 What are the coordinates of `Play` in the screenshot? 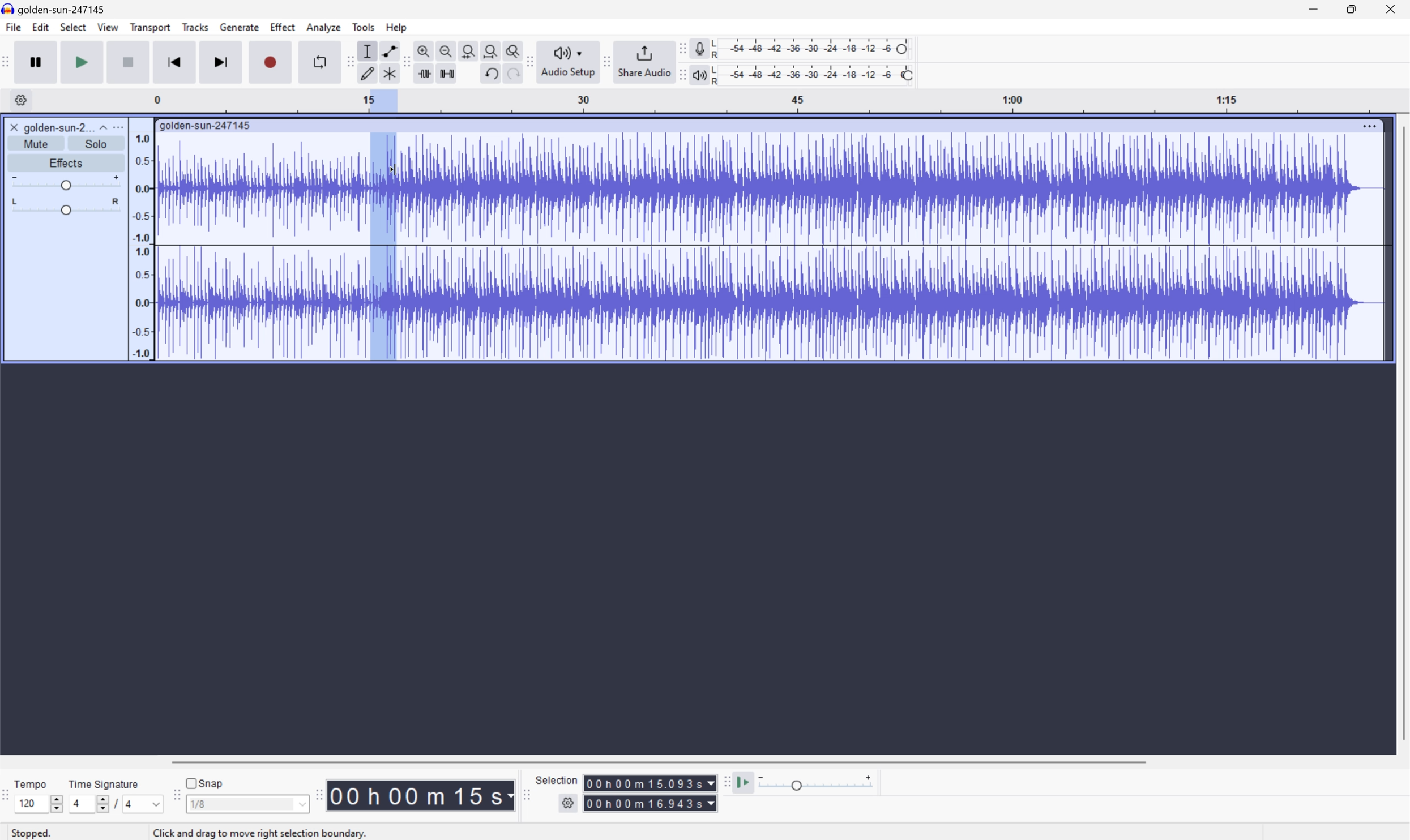 It's located at (83, 62).